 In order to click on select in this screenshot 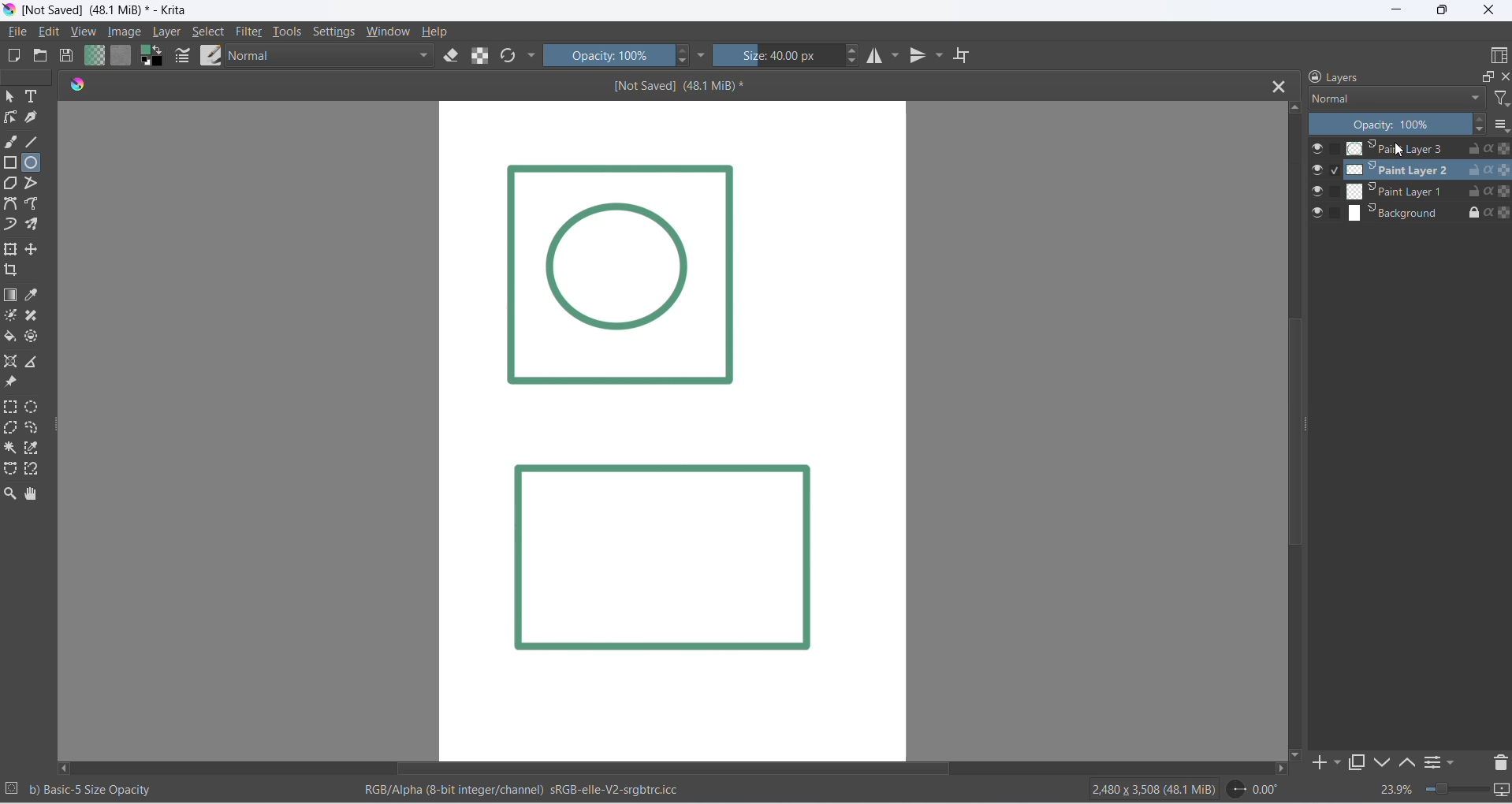, I will do `click(11, 97)`.